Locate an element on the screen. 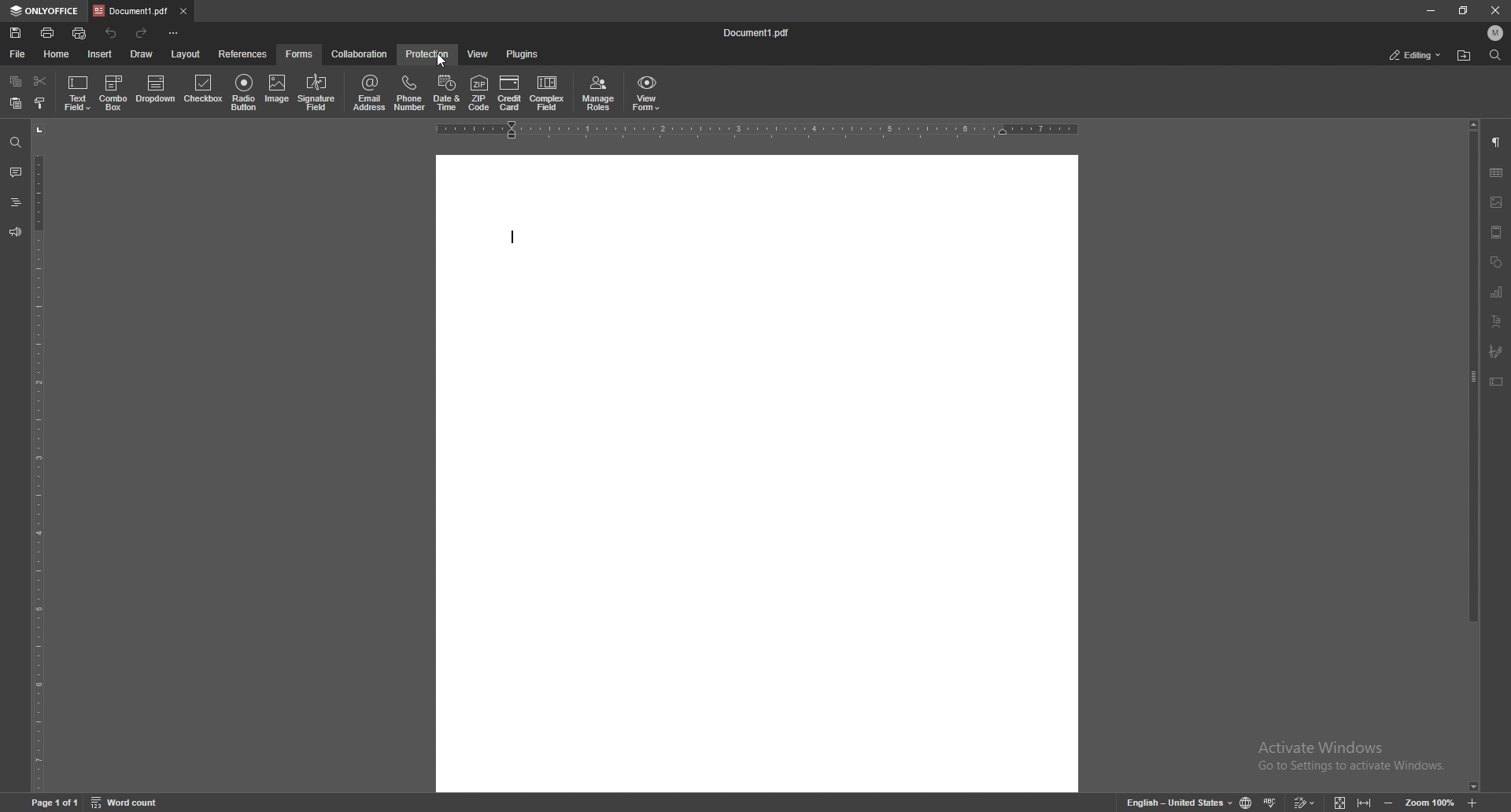 Image resolution: width=1511 pixels, height=812 pixels. print is located at coordinates (48, 33).